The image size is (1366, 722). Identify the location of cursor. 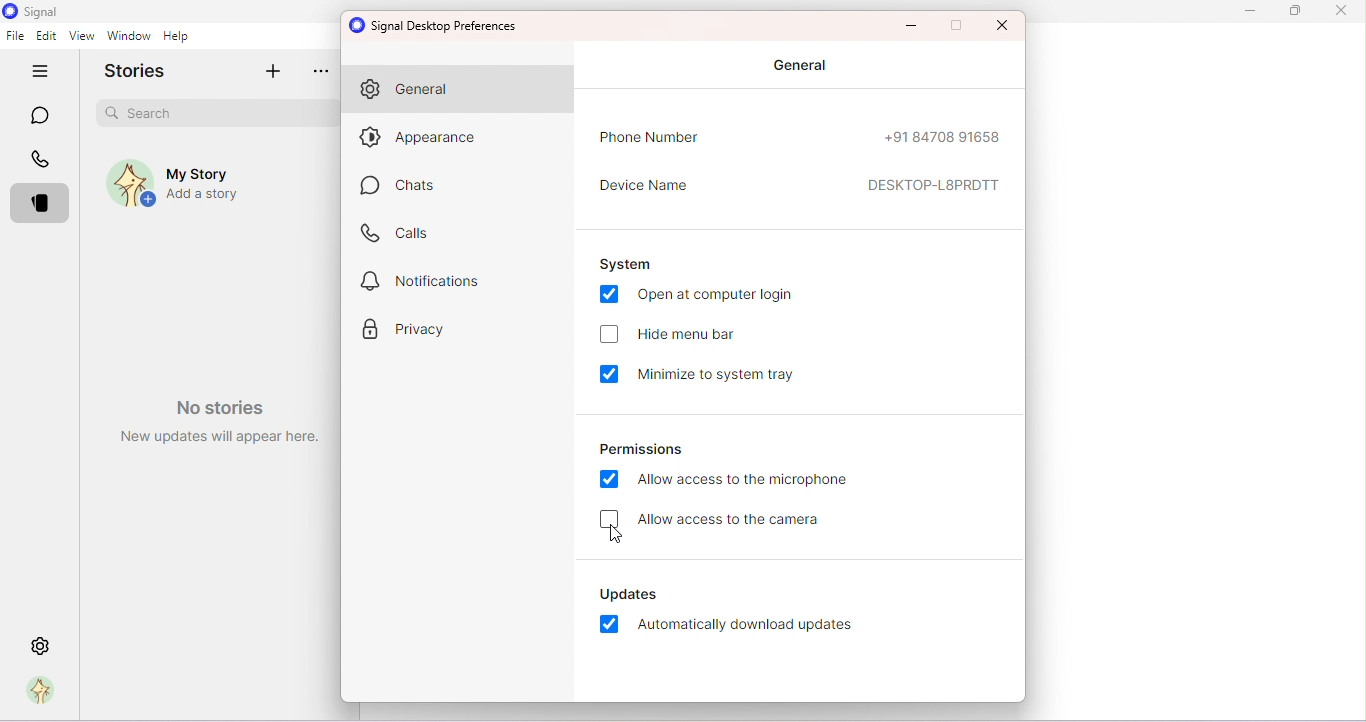
(615, 535).